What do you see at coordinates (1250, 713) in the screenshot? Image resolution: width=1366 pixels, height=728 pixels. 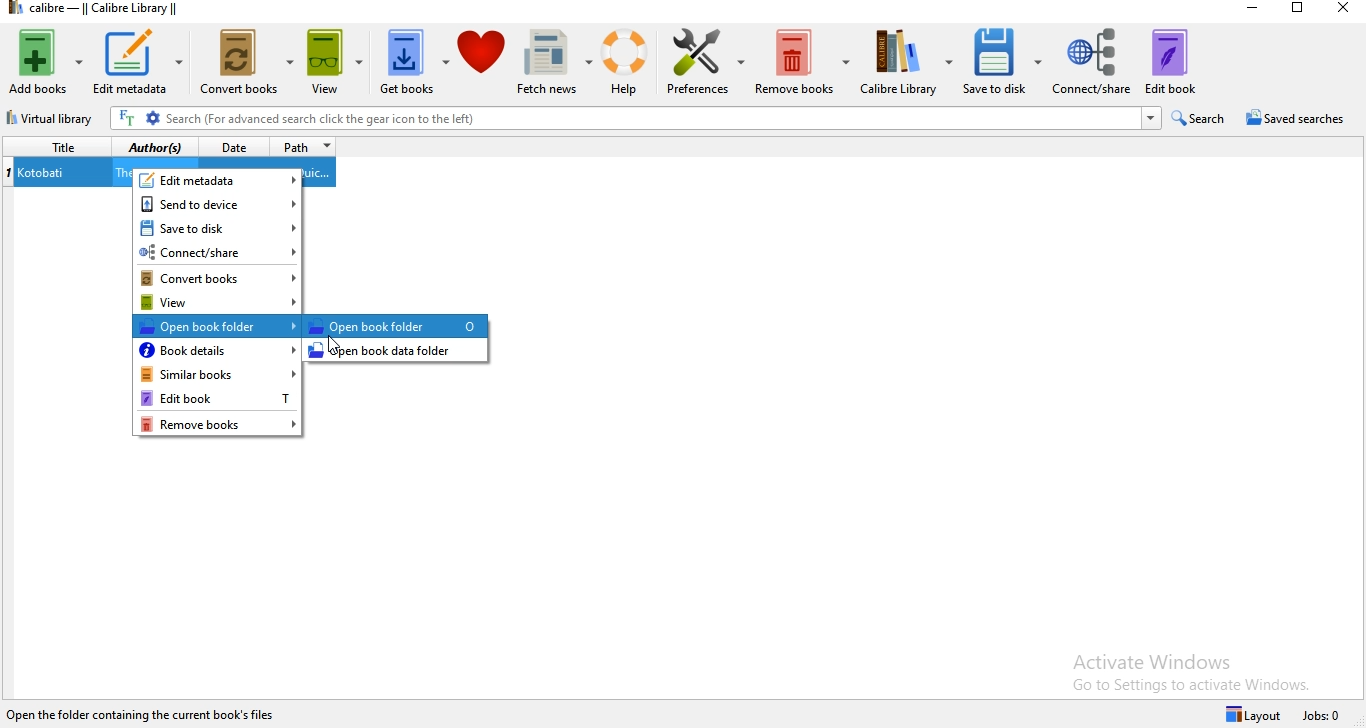 I see `layout` at bounding box center [1250, 713].